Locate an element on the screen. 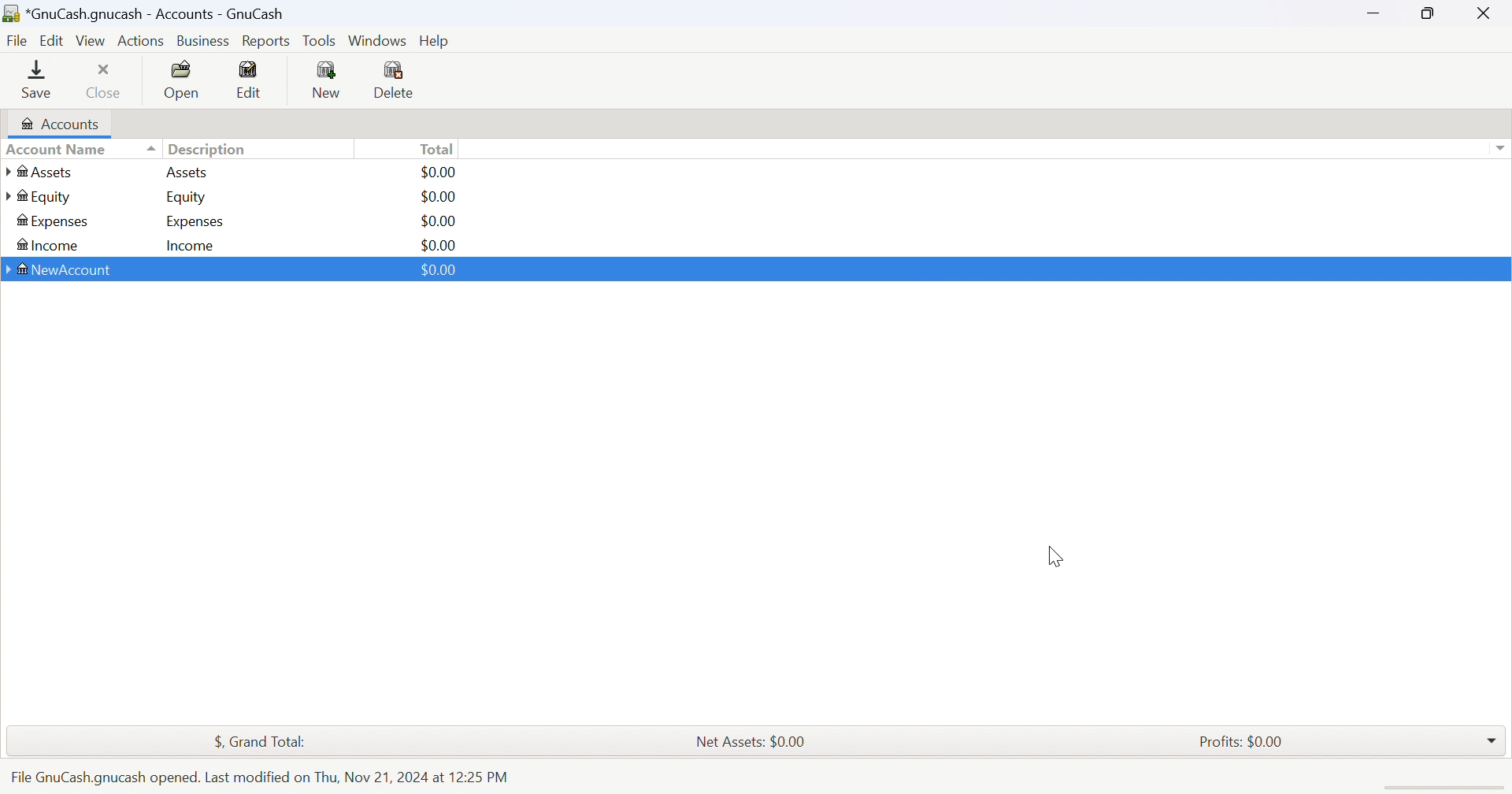  Windows is located at coordinates (377, 41).